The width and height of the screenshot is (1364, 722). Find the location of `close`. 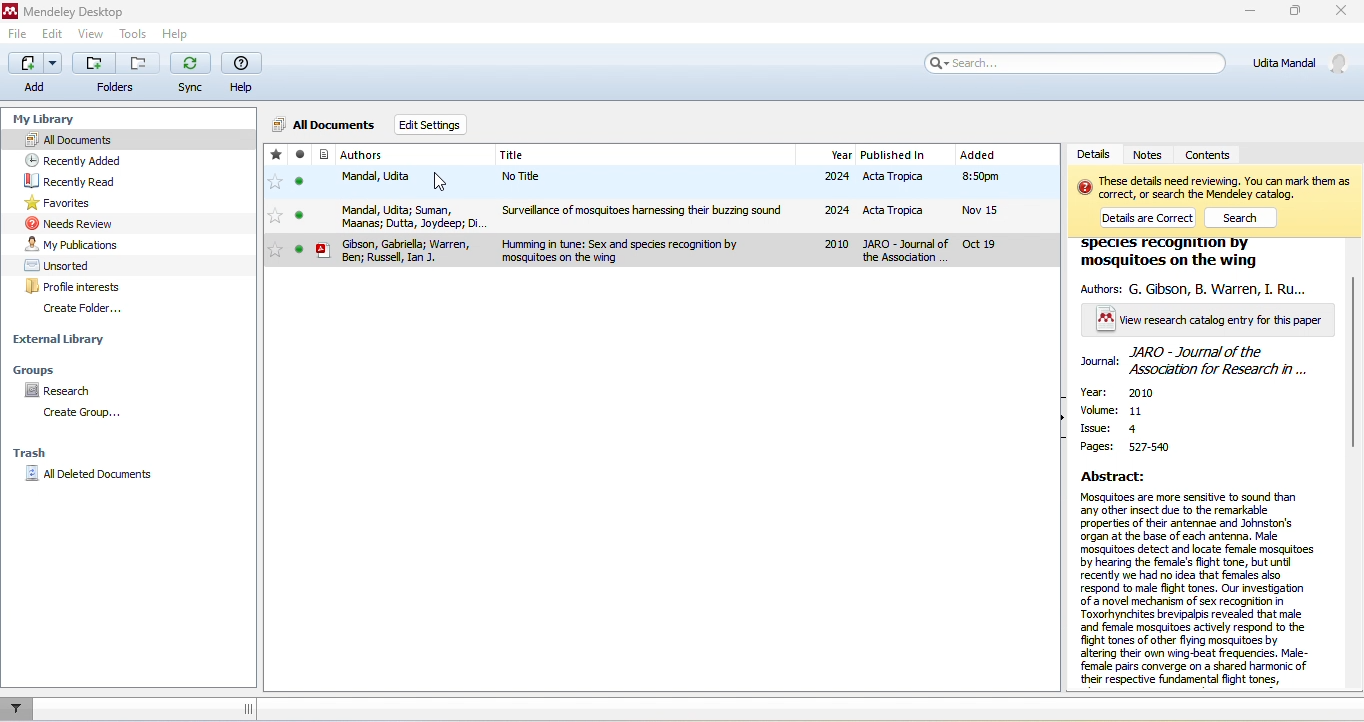

close is located at coordinates (1340, 12).